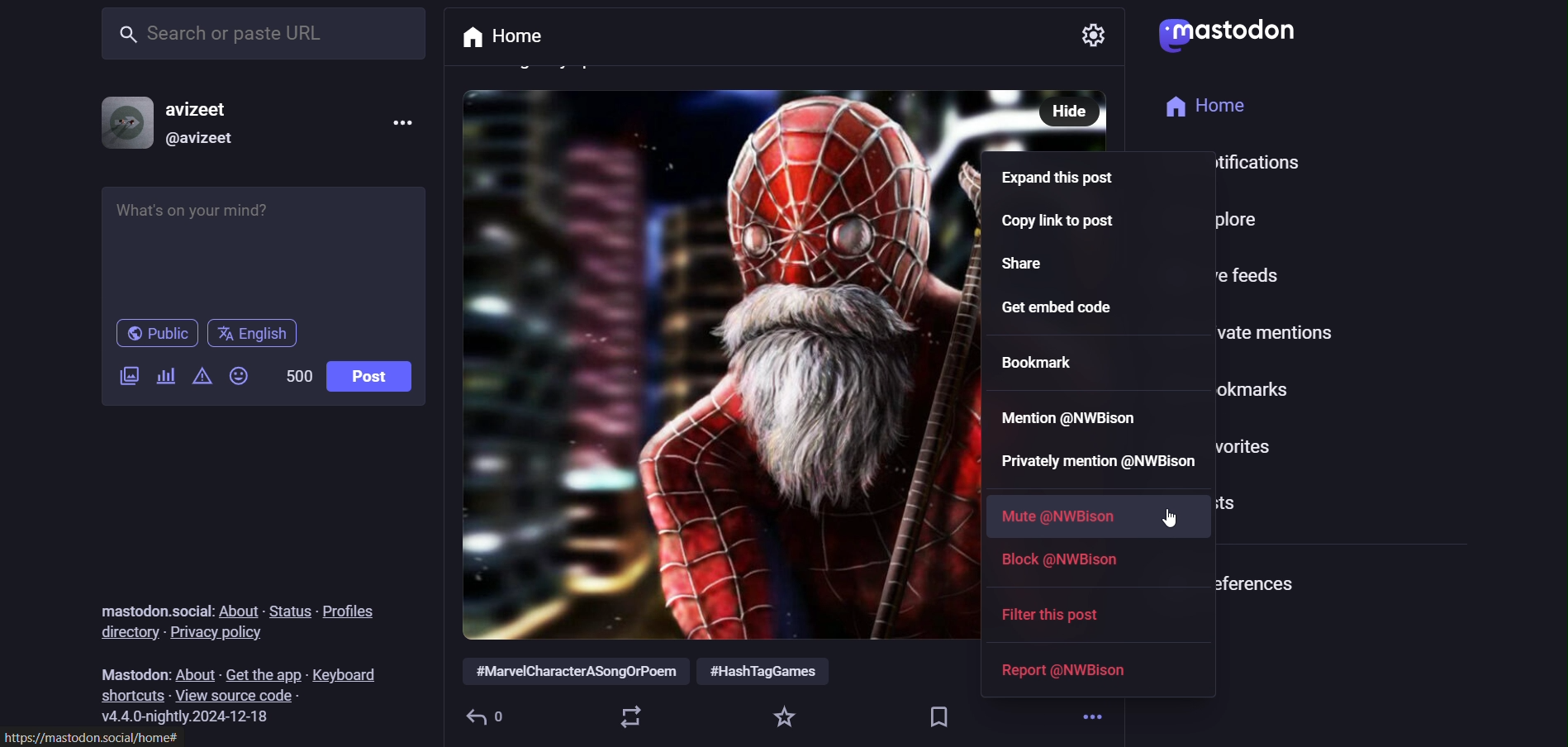  Describe the element at coordinates (367, 377) in the screenshot. I see `post` at that location.